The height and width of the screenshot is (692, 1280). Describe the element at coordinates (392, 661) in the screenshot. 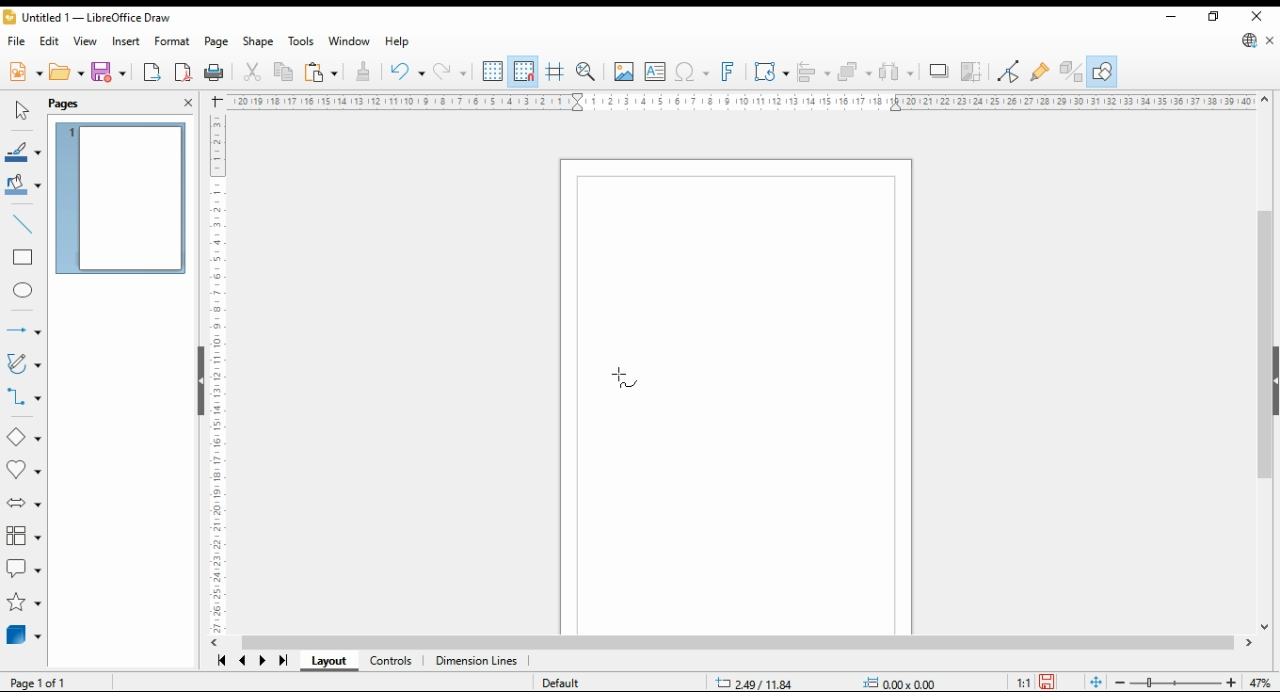

I see `controls` at that location.